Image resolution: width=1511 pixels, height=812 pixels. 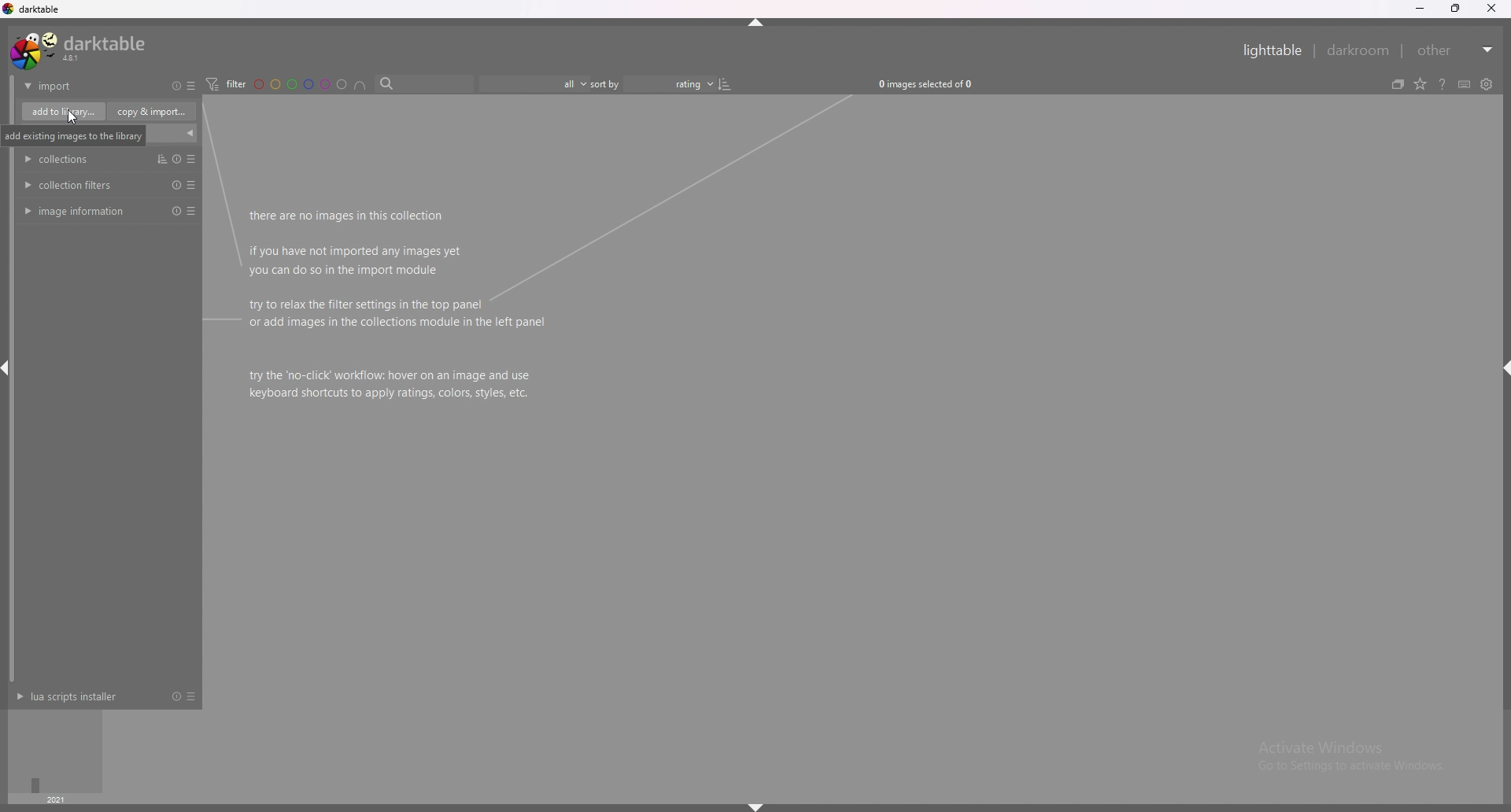 What do you see at coordinates (300, 84) in the screenshot?
I see `color labels` at bounding box center [300, 84].